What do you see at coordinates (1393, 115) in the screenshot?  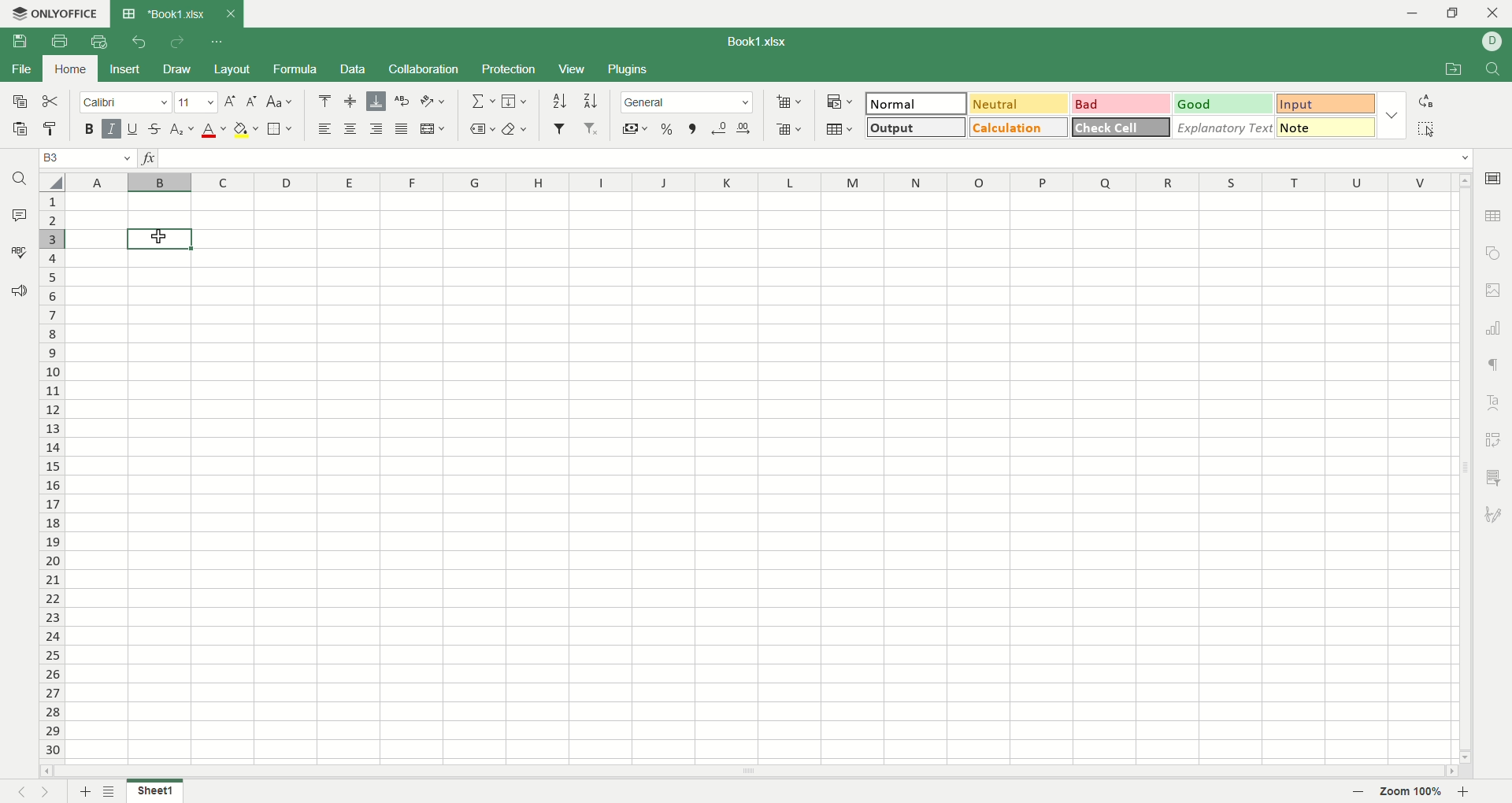 I see `style options` at bounding box center [1393, 115].